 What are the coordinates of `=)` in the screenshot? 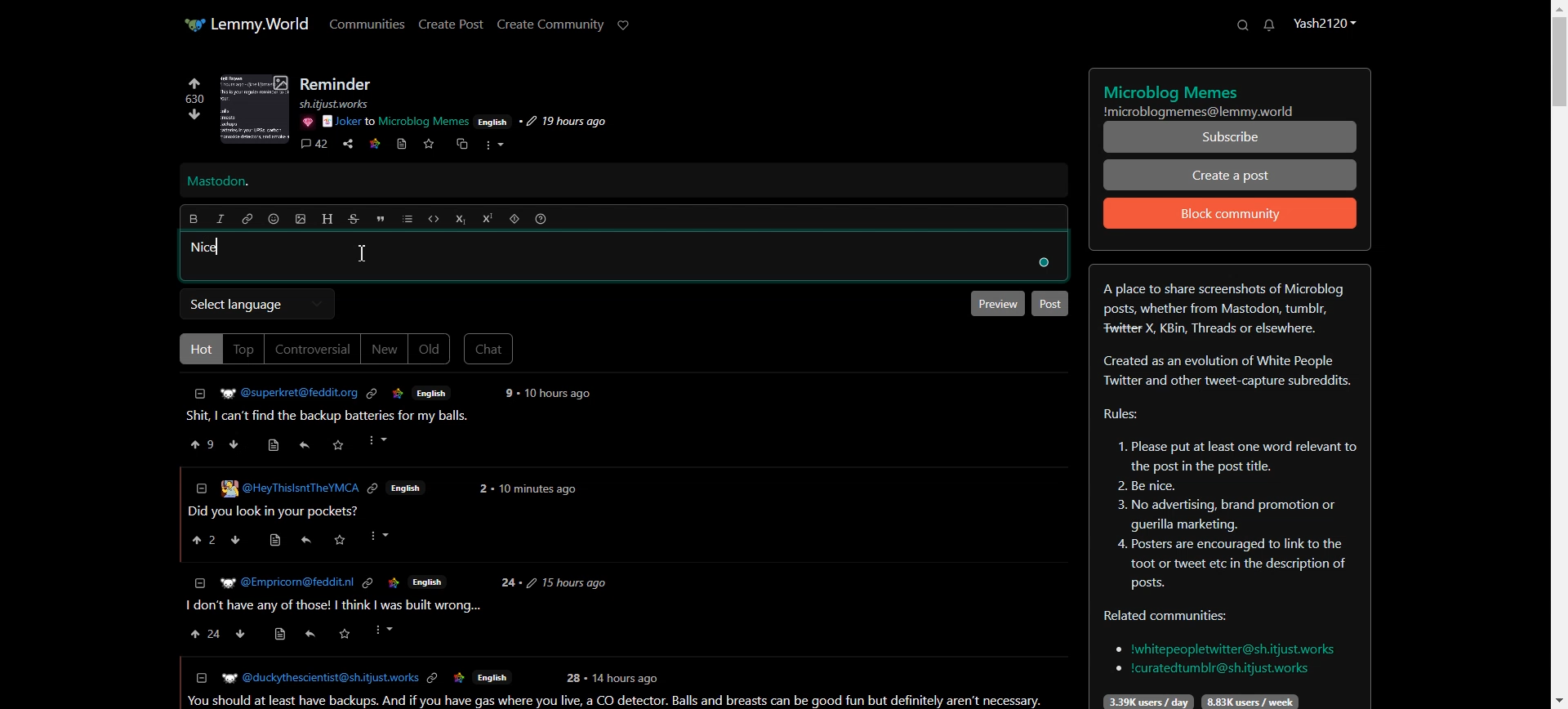 It's located at (277, 443).